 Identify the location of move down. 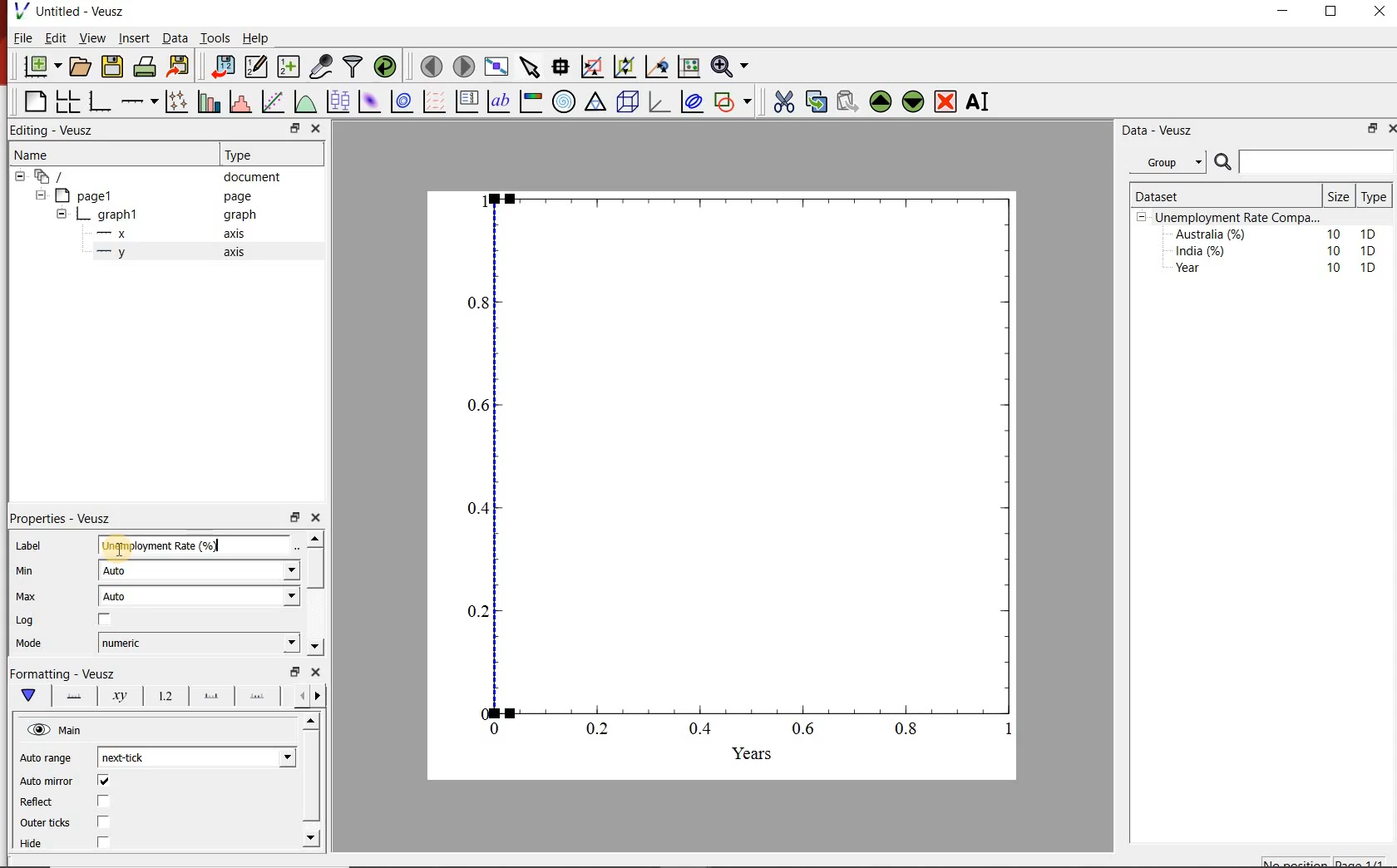
(311, 838).